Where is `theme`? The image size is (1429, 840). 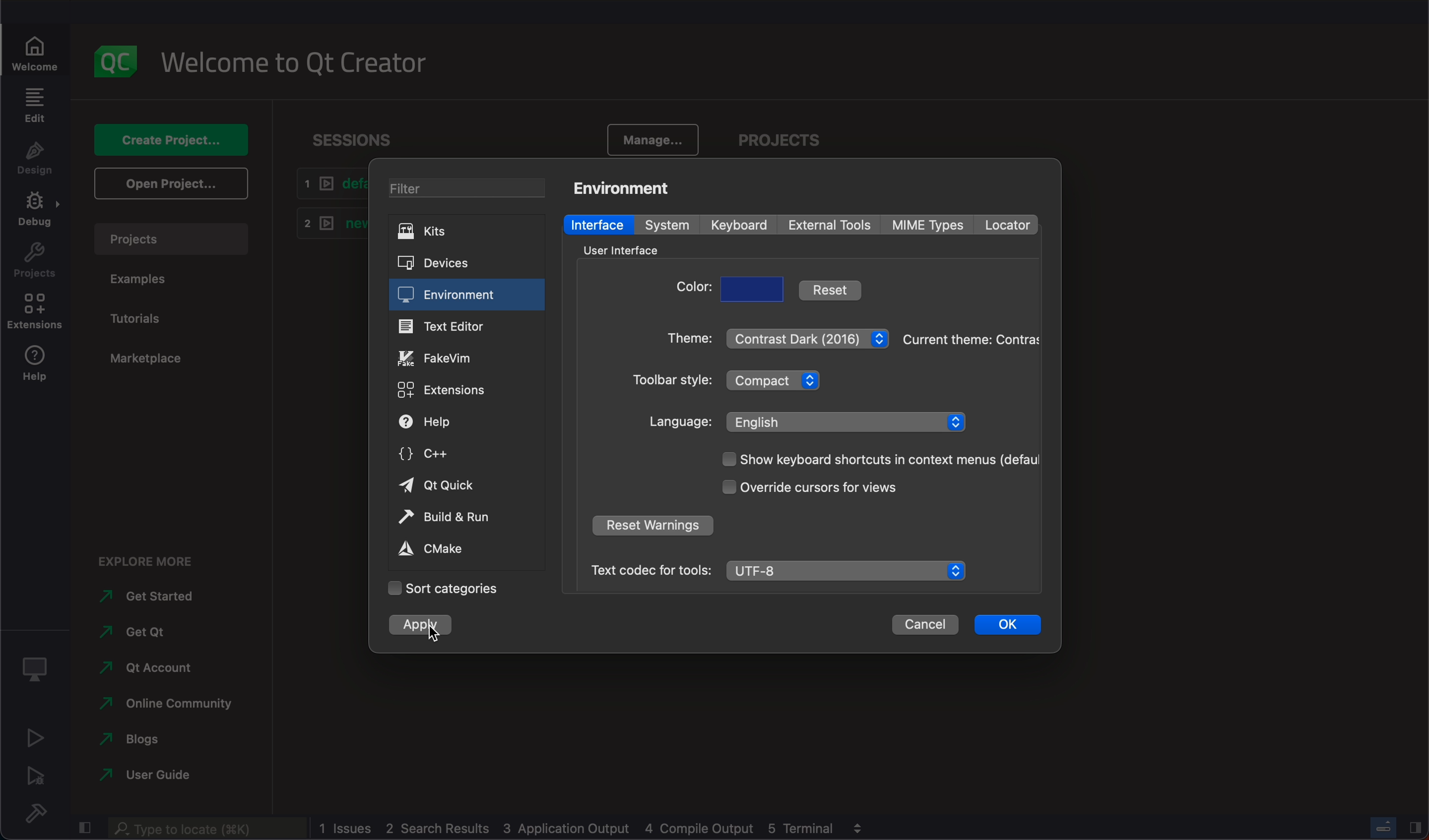 theme is located at coordinates (971, 339).